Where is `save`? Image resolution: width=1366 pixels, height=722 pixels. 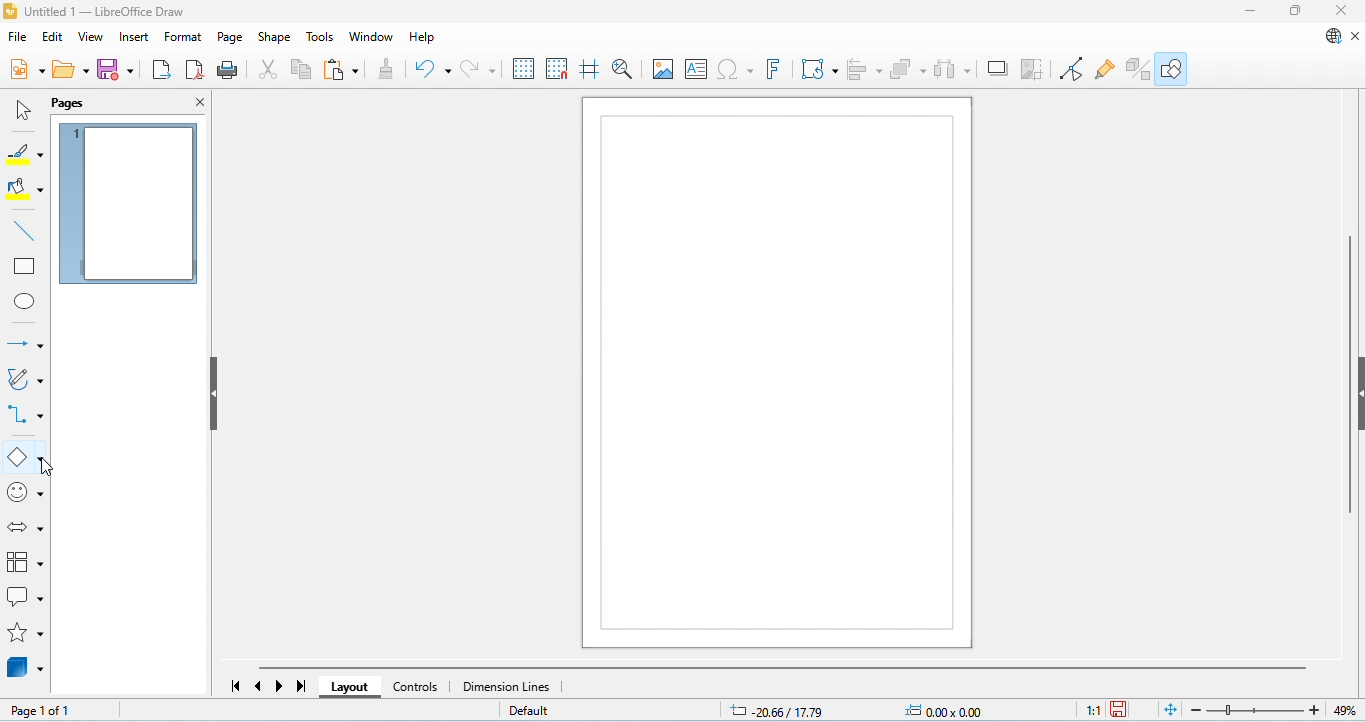
save is located at coordinates (1121, 709).